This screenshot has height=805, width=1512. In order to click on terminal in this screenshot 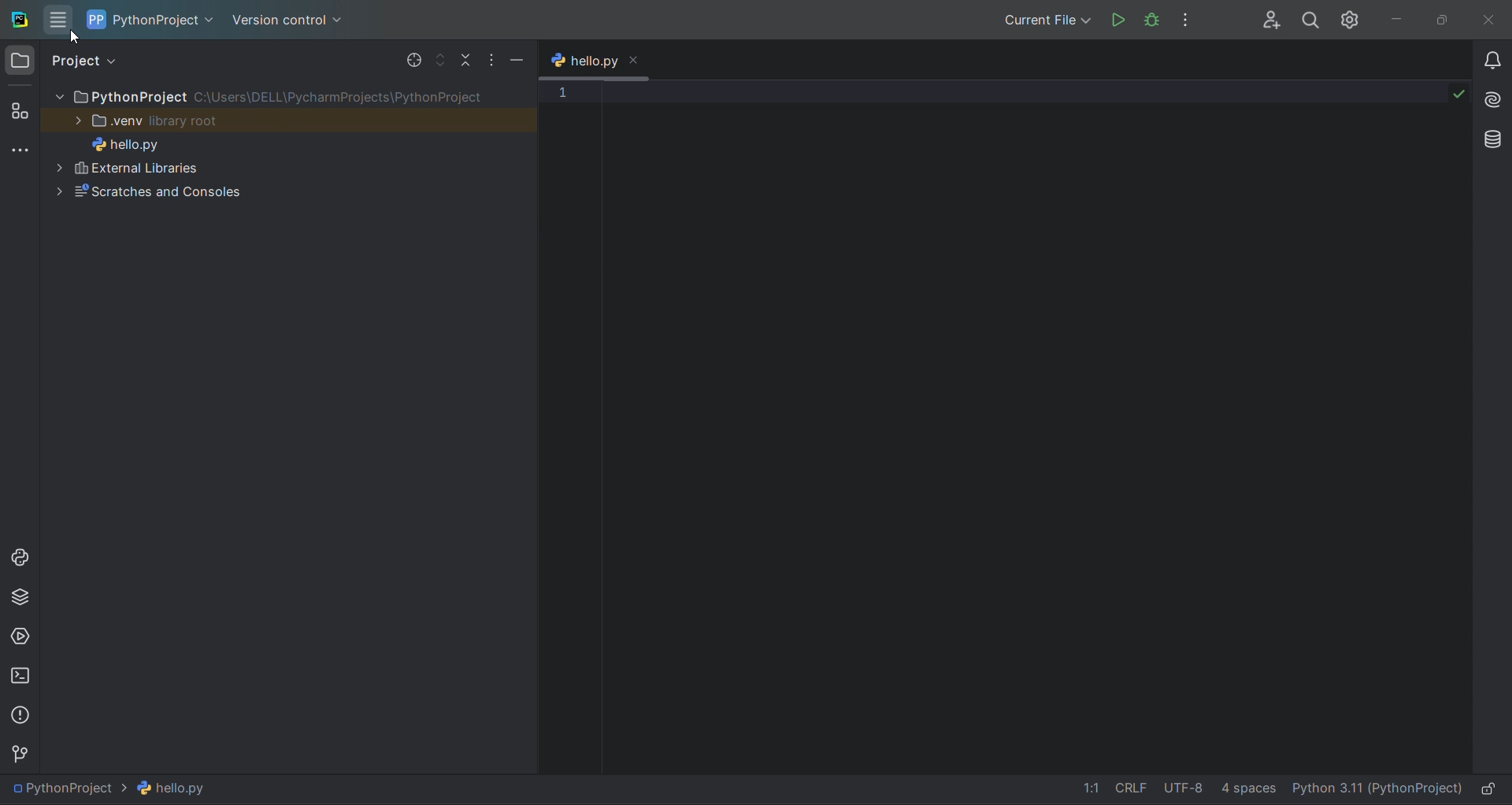, I will do `click(20, 677)`.